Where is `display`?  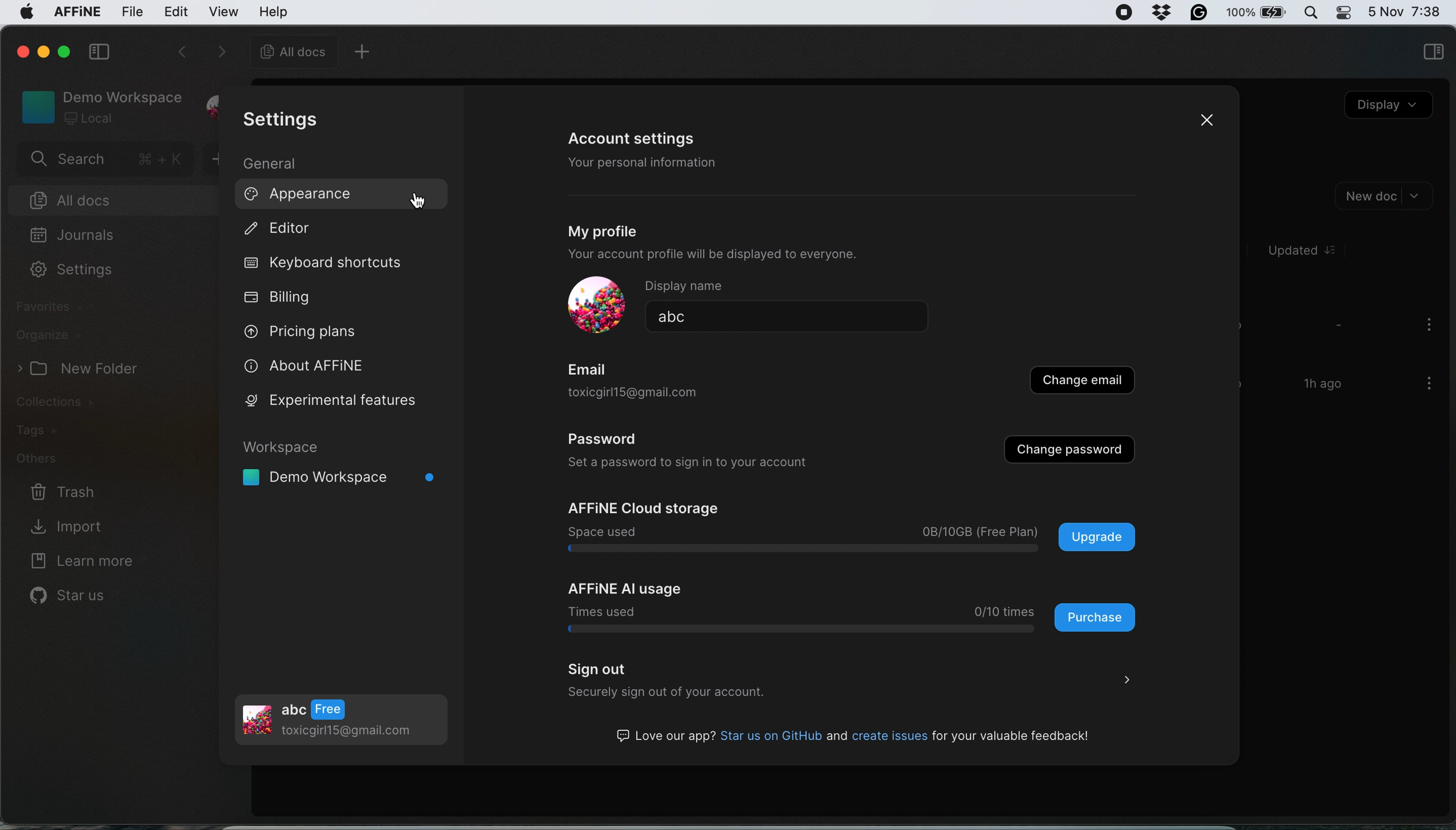 display is located at coordinates (1389, 107).